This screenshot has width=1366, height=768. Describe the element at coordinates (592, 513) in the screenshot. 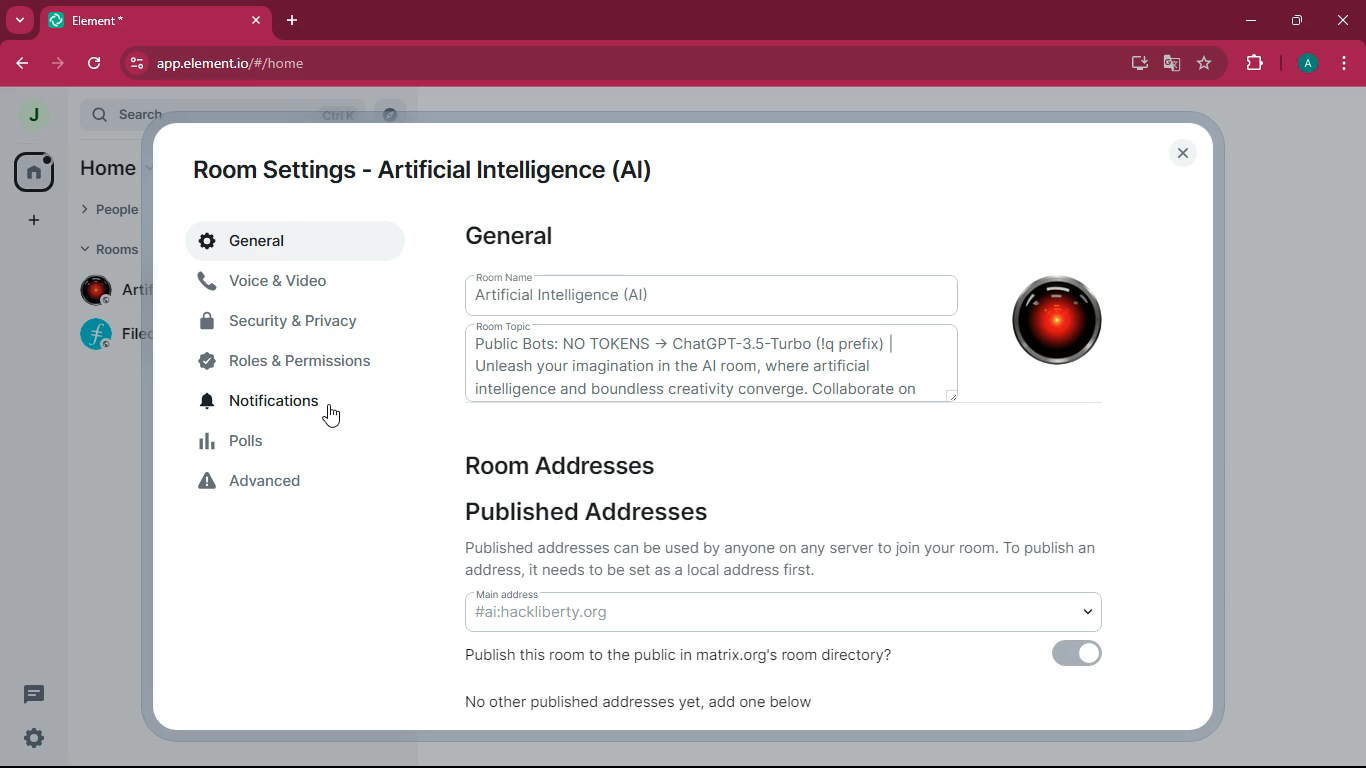

I see `published addresses` at that location.